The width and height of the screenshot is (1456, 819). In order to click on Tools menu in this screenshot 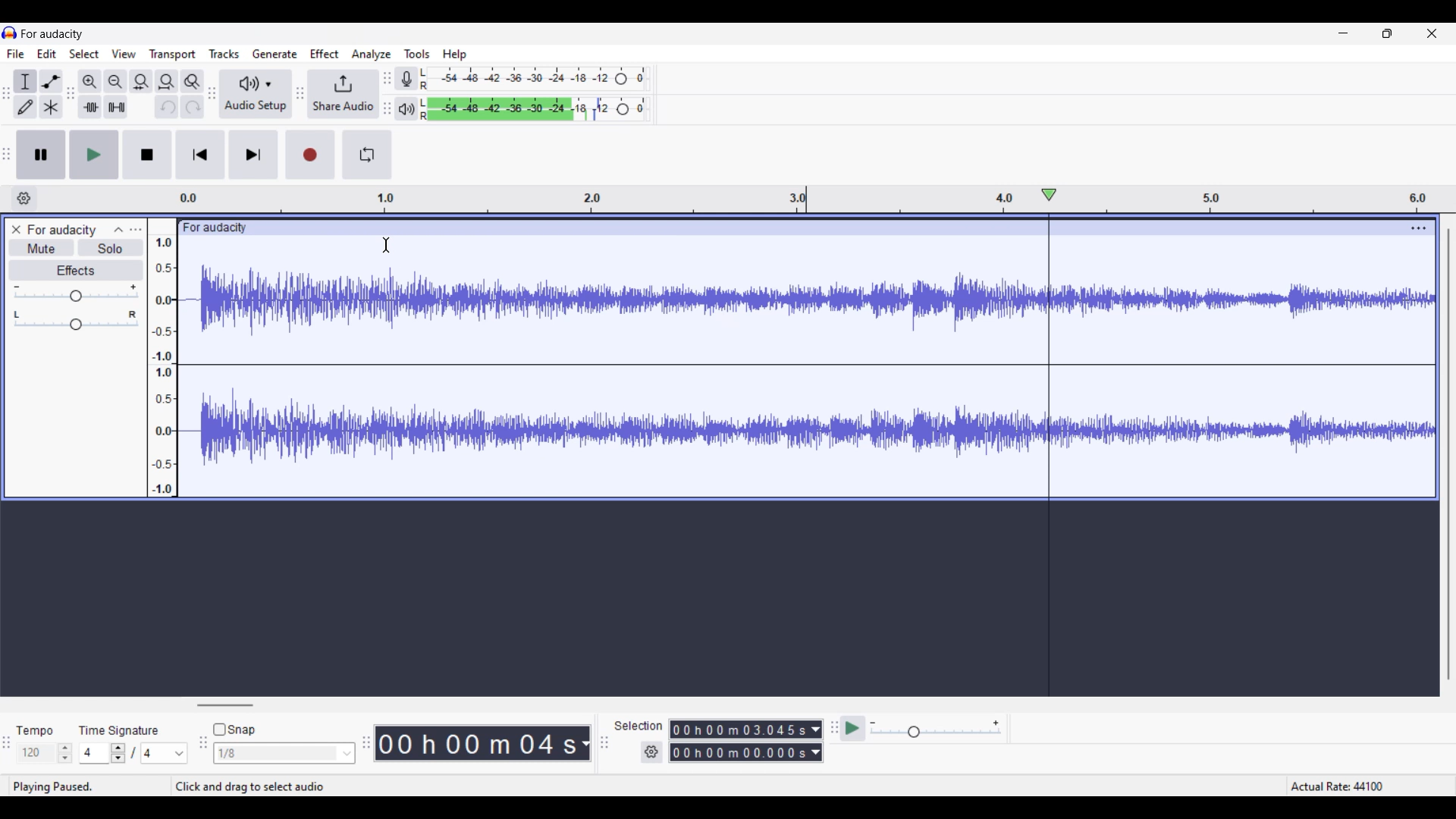, I will do `click(417, 54)`.